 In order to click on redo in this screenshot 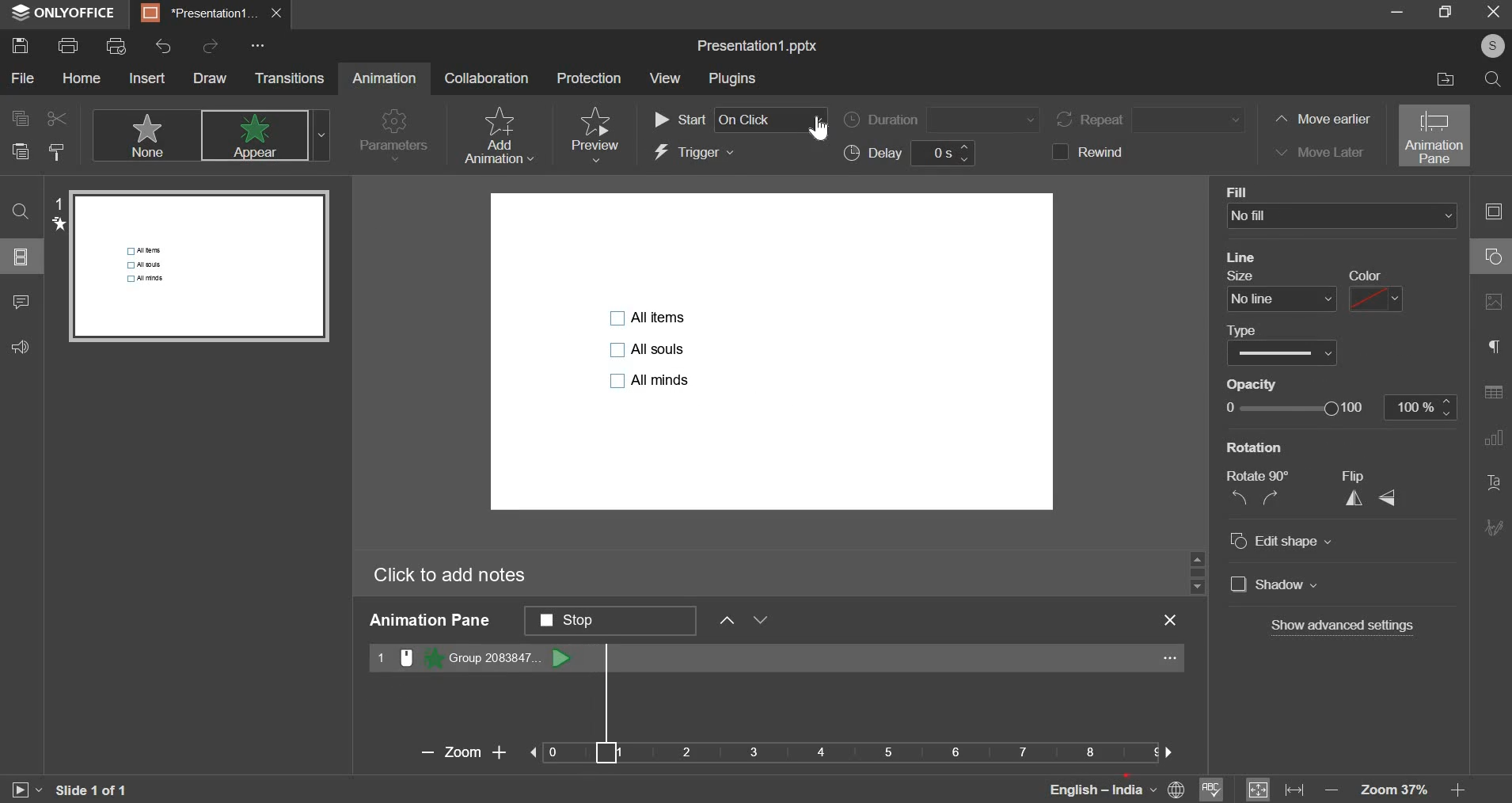, I will do `click(209, 44)`.